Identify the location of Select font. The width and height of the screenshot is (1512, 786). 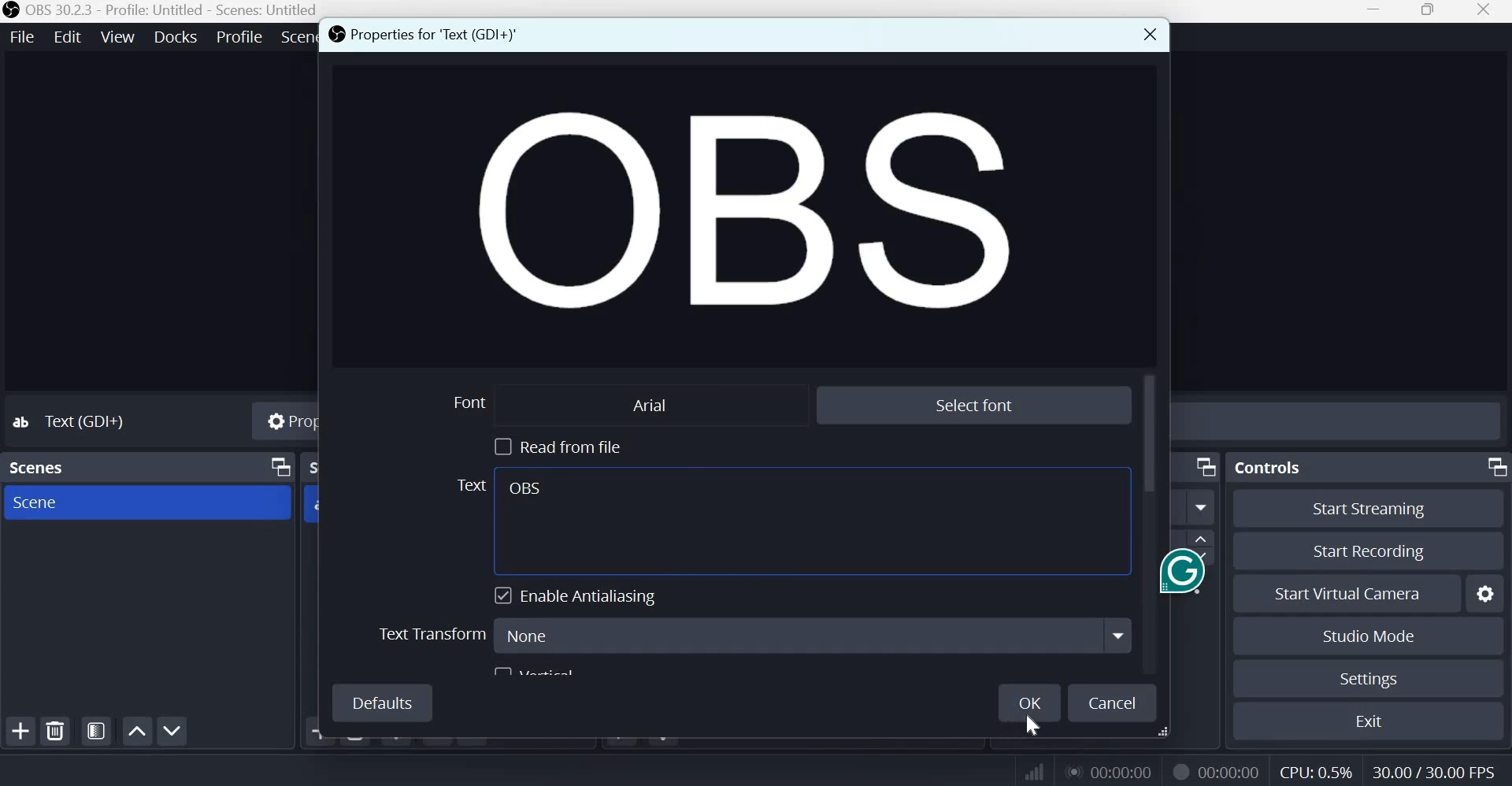
(976, 404).